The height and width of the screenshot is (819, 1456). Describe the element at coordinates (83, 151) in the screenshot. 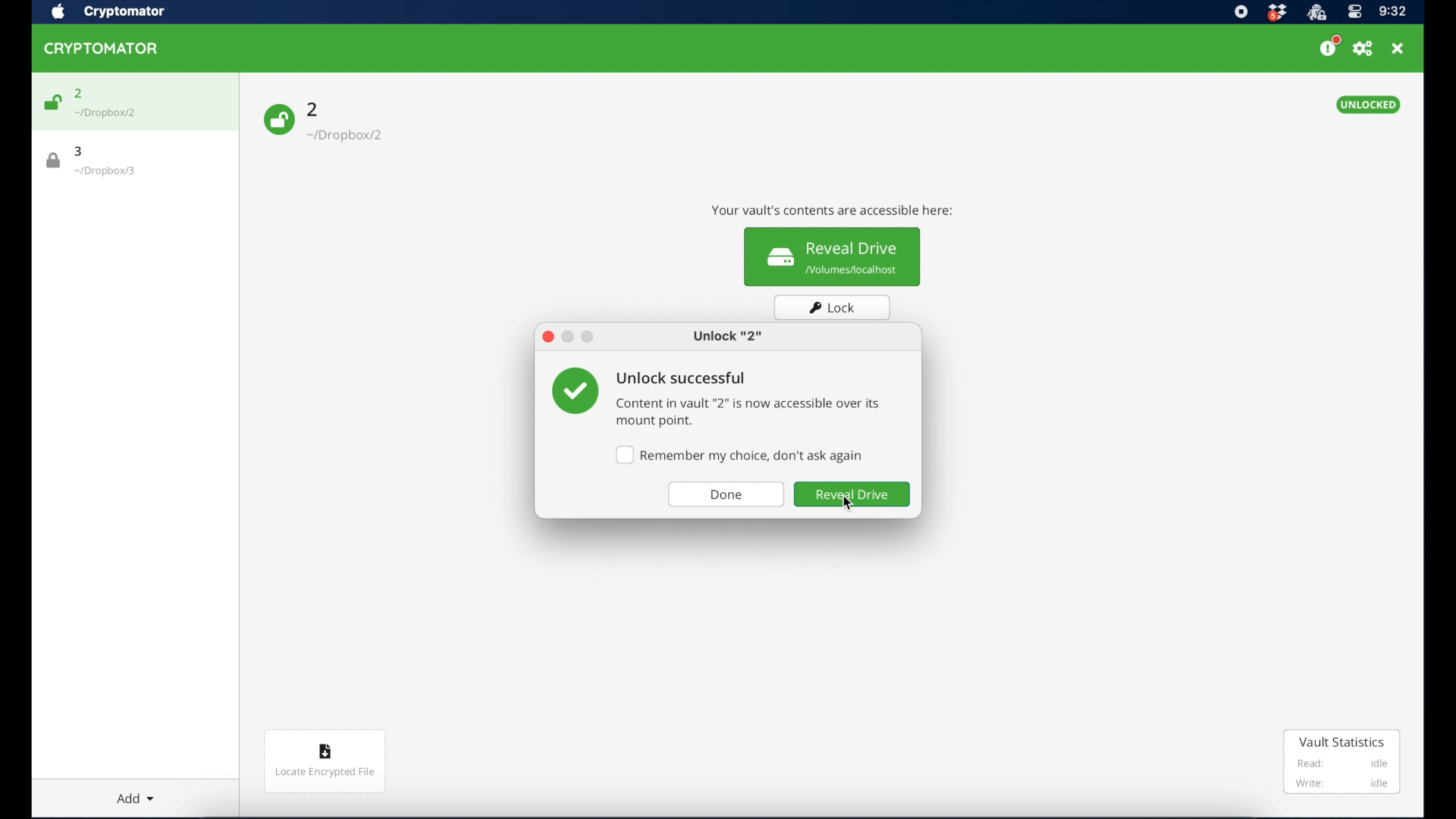

I see `3` at that location.